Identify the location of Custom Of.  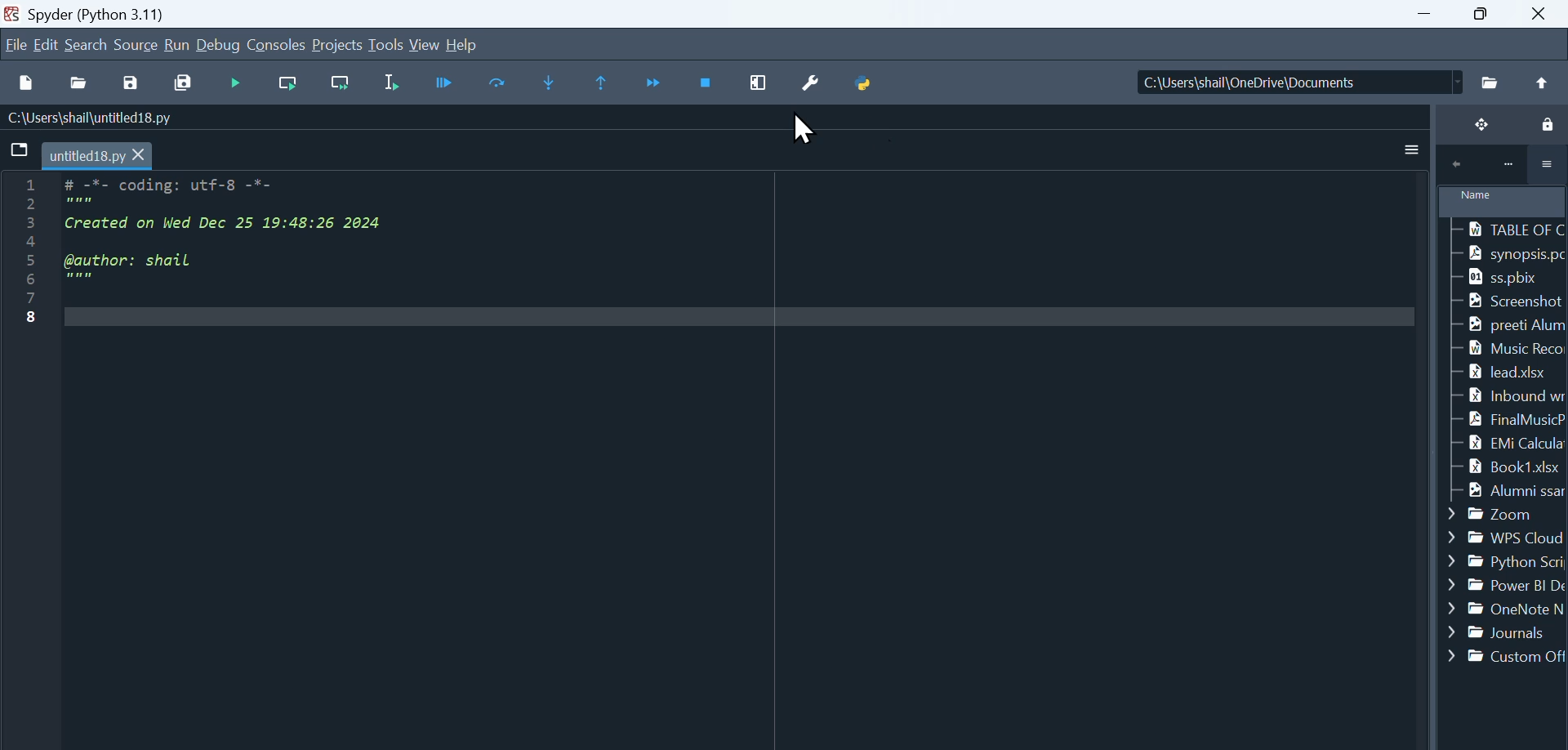
(1504, 656).